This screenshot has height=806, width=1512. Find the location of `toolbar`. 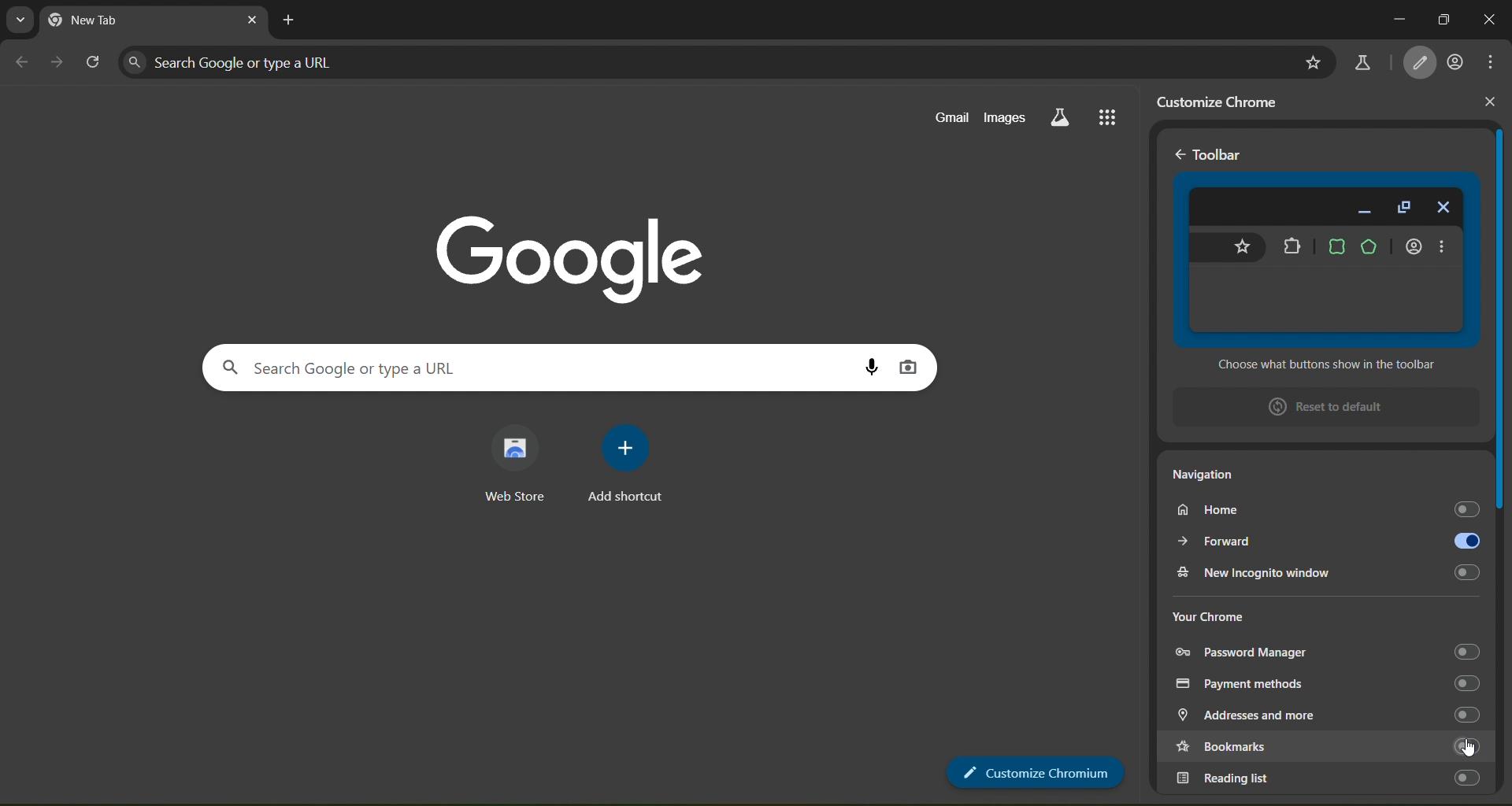

toolbar is located at coordinates (1327, 273).